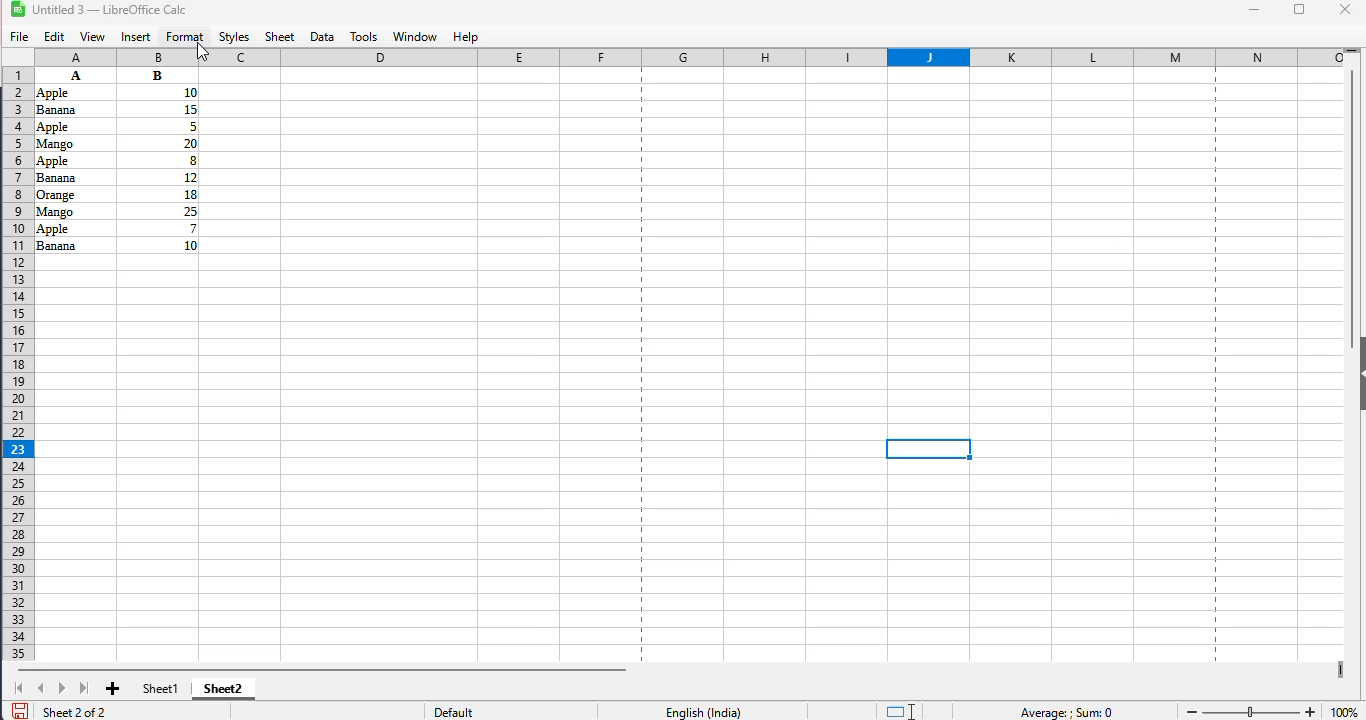 This screenshot has height=720, width=1366. I want to click on , so click(71, 110).